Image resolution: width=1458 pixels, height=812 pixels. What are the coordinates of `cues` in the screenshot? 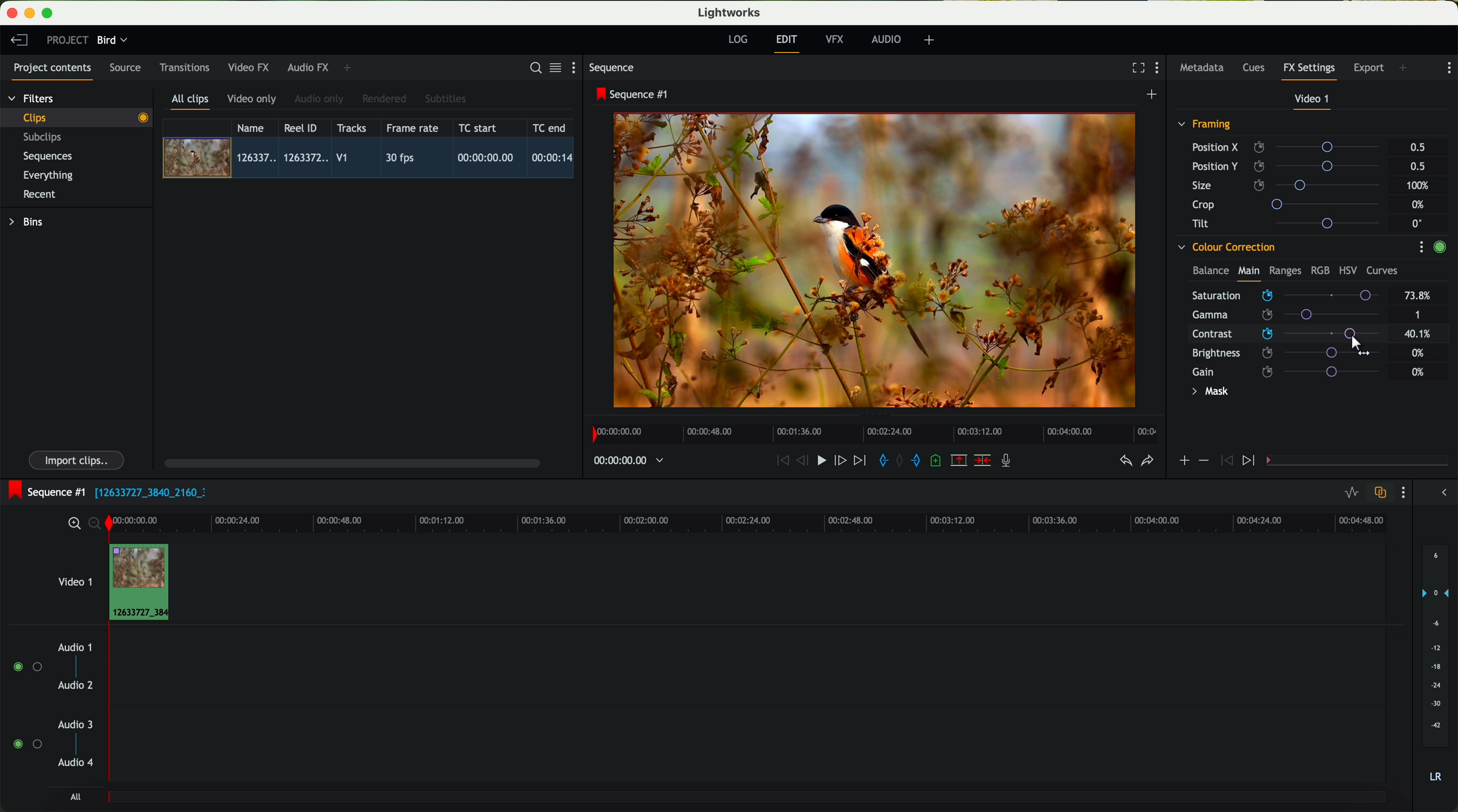 It's located at (1257, 68).